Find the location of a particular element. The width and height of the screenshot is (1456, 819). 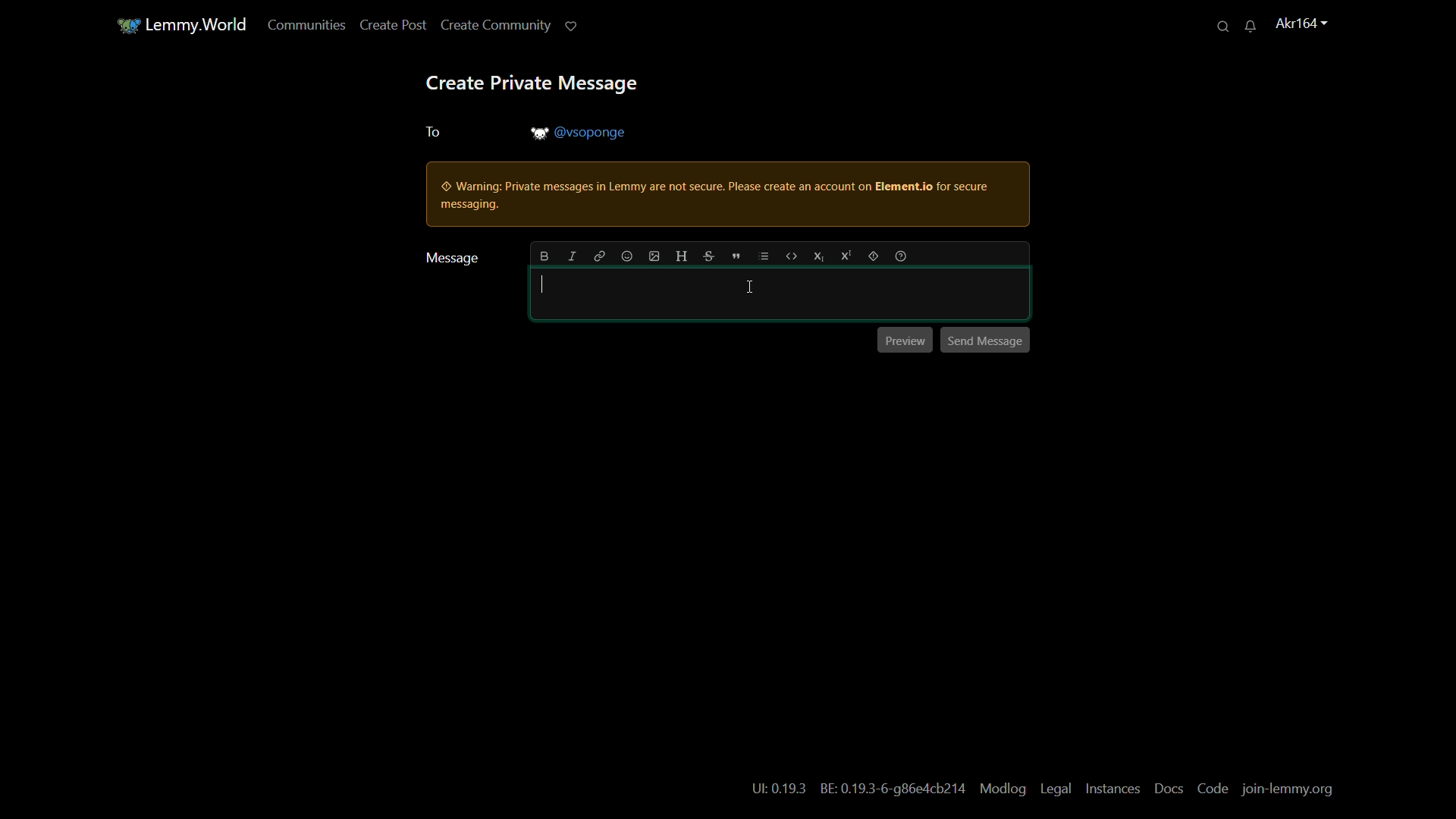

username is located at coordinates (580, 132).